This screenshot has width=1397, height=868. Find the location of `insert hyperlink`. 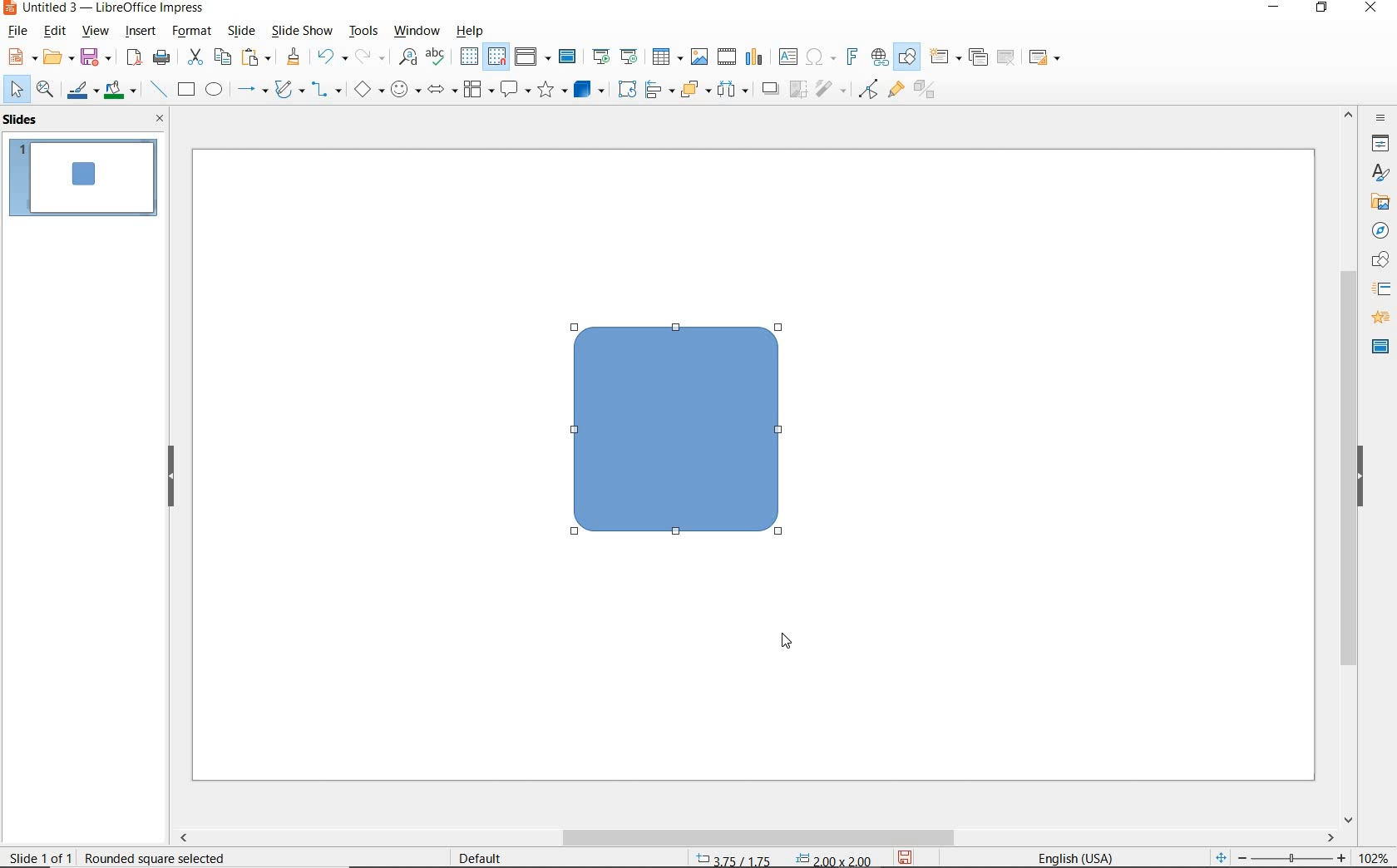

insert hyperlink is located at coordinates (878, 56).